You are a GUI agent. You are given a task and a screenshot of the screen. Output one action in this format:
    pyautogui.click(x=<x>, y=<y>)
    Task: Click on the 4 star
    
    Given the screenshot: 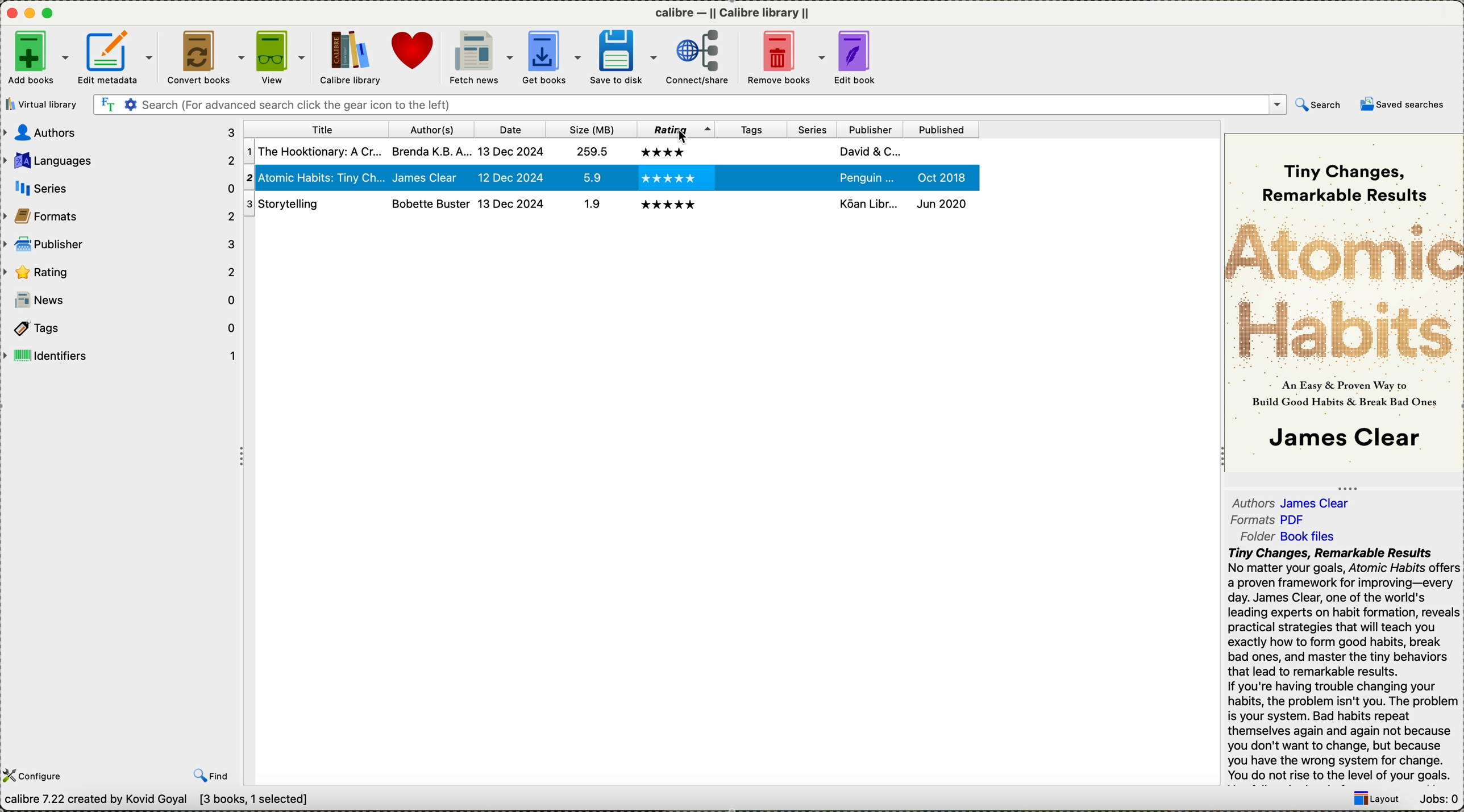 What is the action you would take?
    pyautogui.click(x=666, y=152)
    